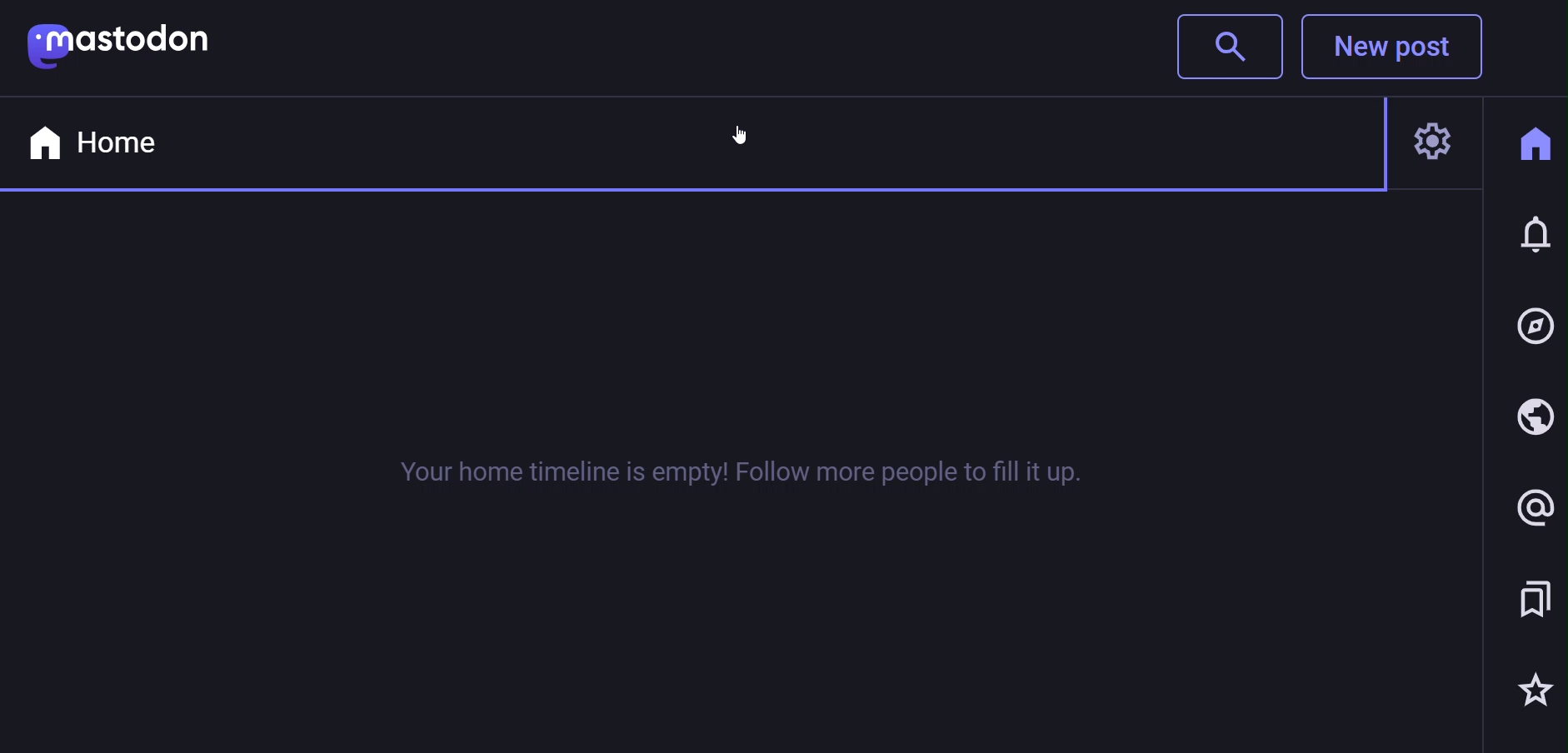  I want to click on cursor, so click(744, 134).